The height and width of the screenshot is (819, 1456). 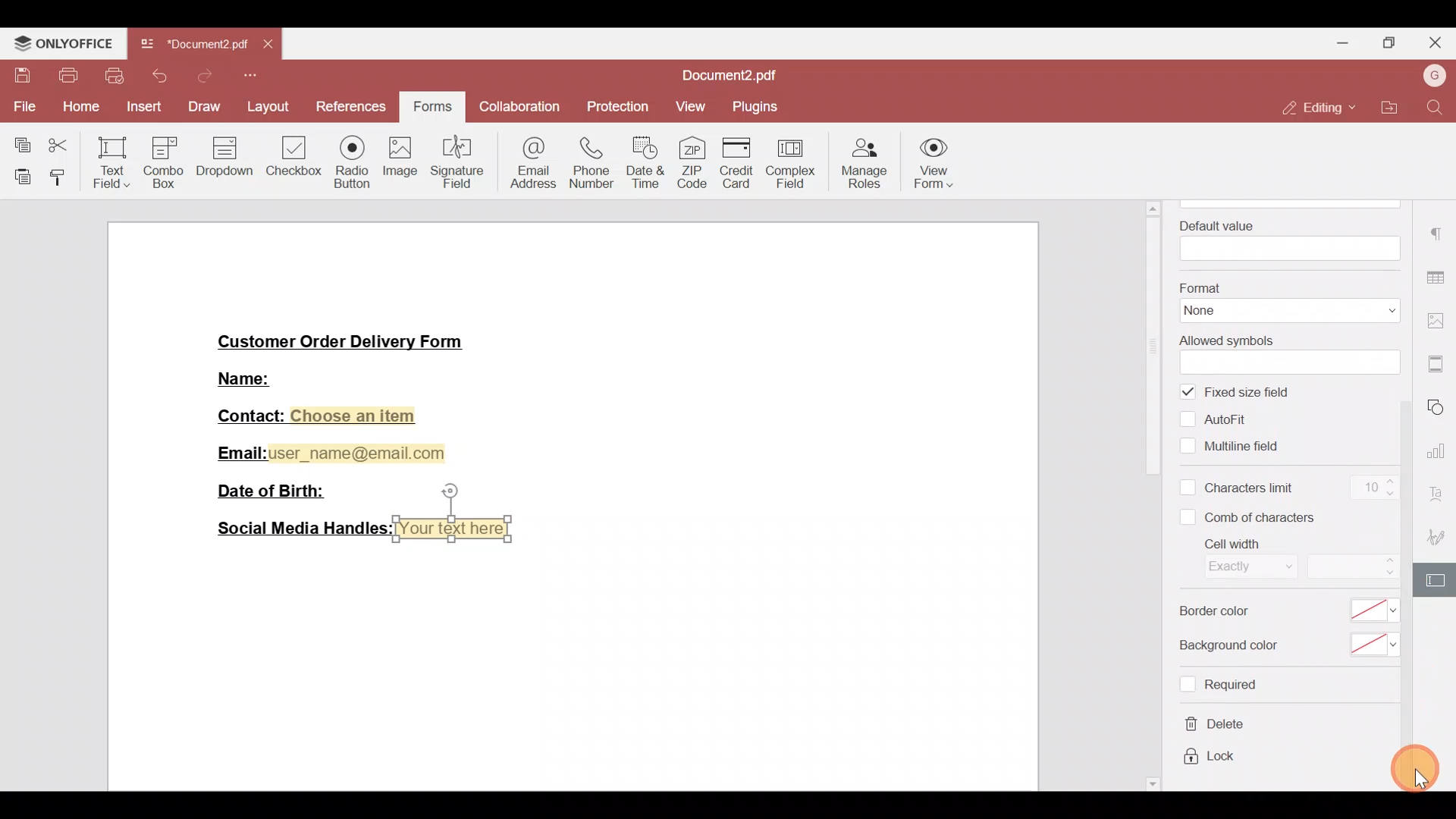 What do you see at coordinates (1253, 516) in the screenshot?
I see `Comb of characters` at bounding box center [1253, 516].